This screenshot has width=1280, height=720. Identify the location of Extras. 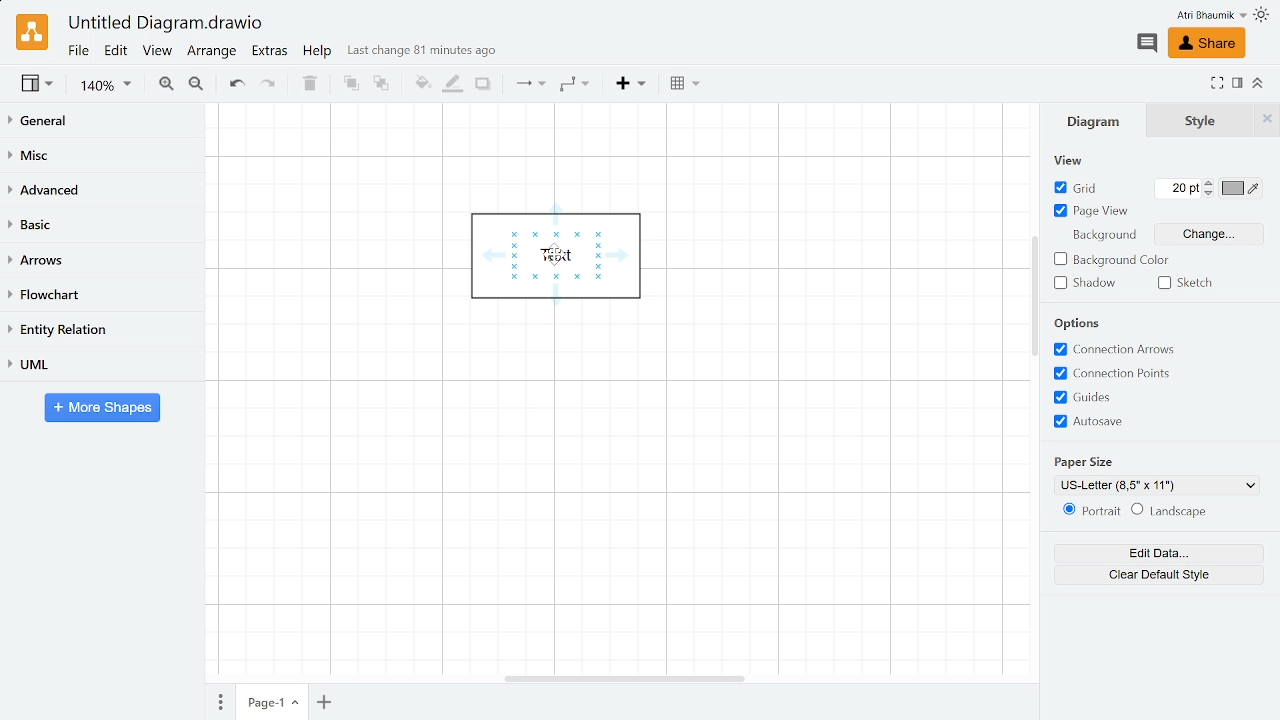
(272, 53).